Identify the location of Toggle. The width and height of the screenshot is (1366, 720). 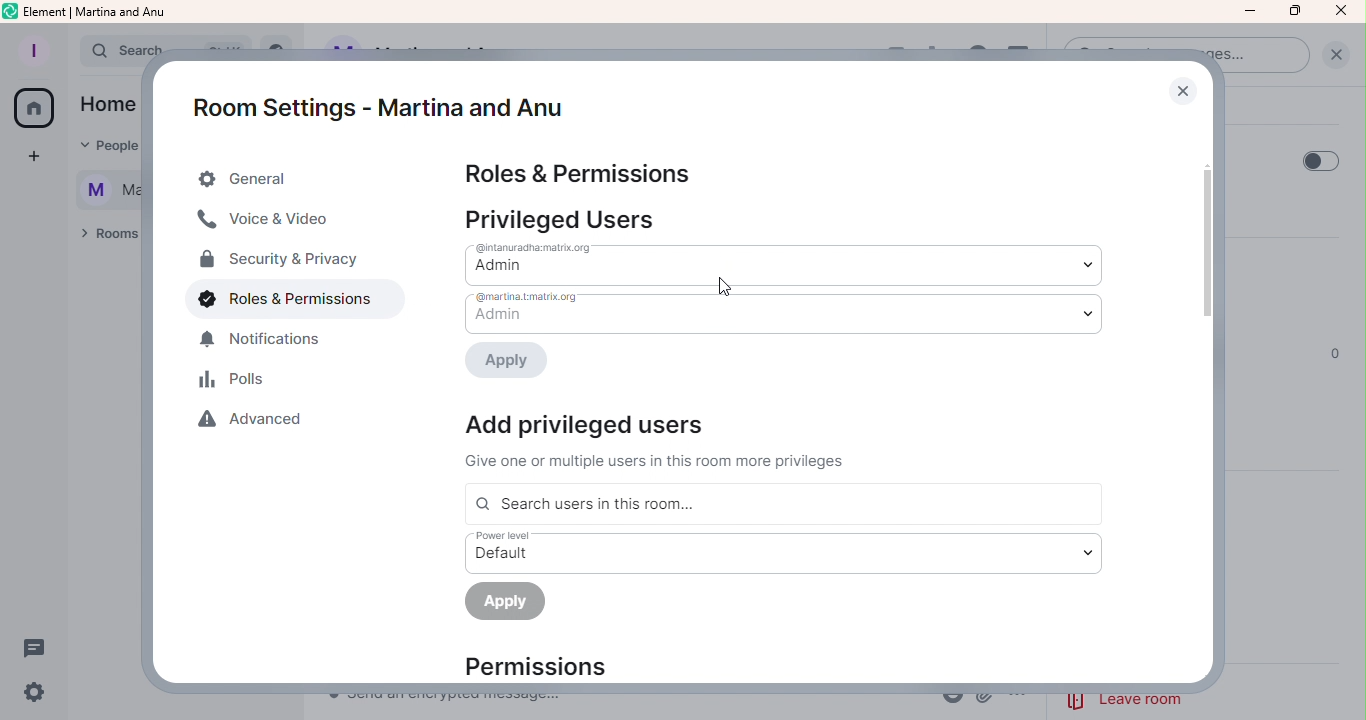
(1320, 159).